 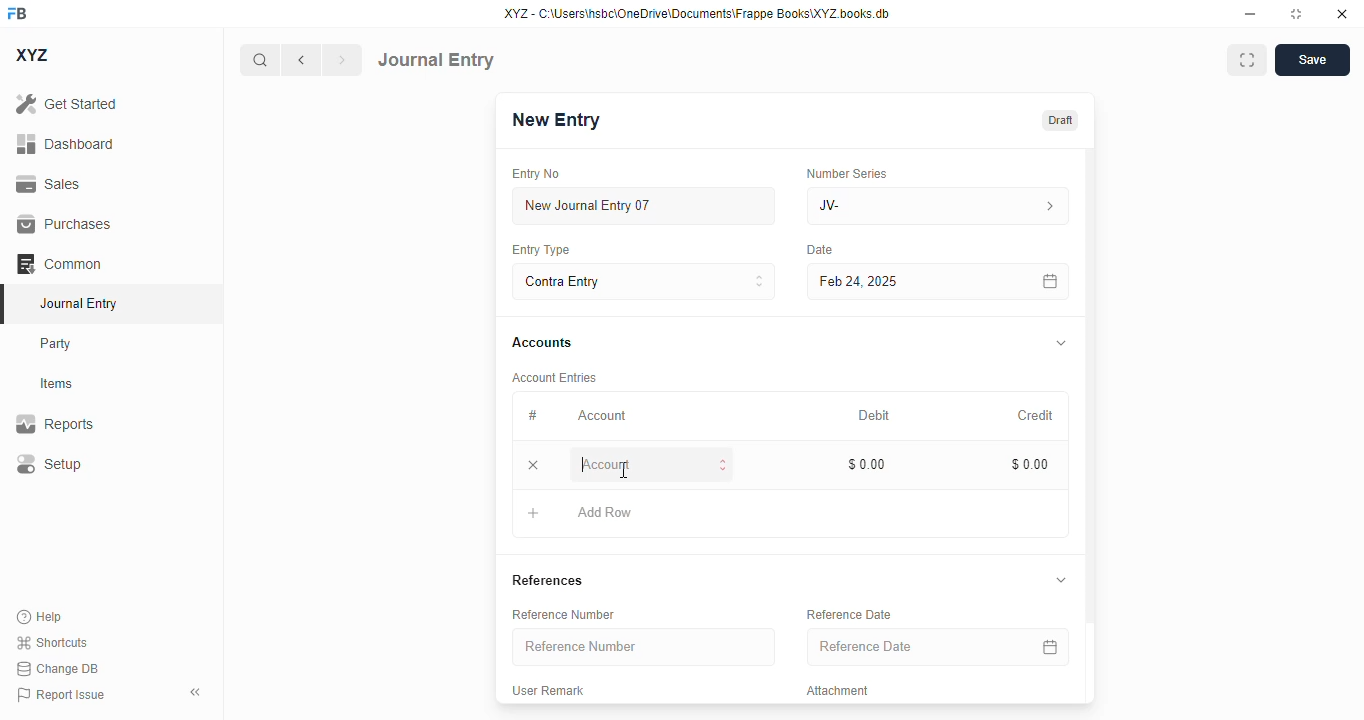 What do you see at coordinates (1342, 14) in the screenshot?
I see `close` at bounding box center [1342, 14].